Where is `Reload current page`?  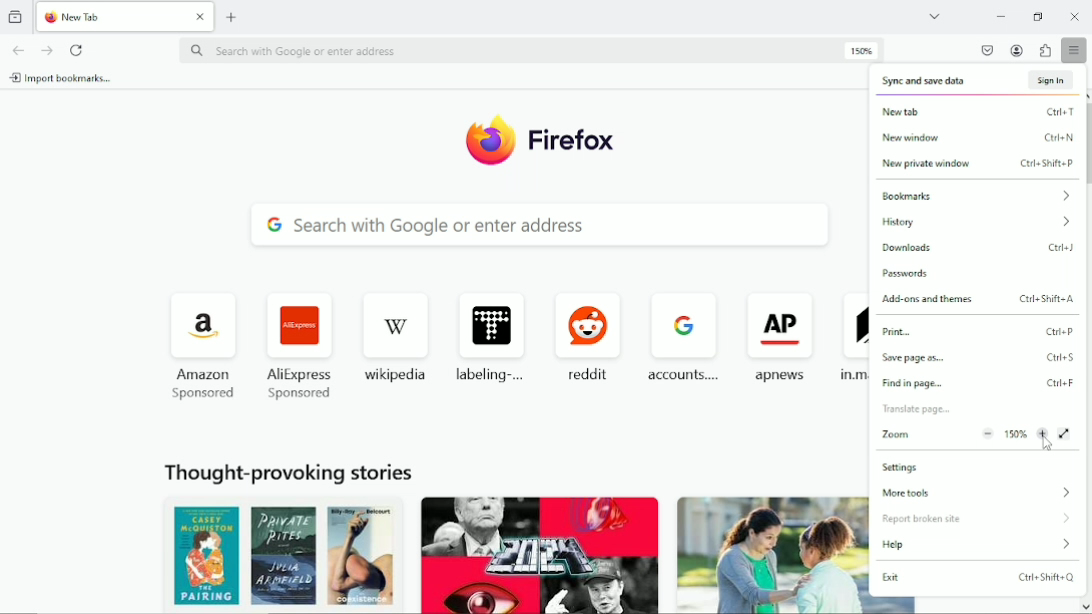
Reload current page is located at coordinates (78, 49).